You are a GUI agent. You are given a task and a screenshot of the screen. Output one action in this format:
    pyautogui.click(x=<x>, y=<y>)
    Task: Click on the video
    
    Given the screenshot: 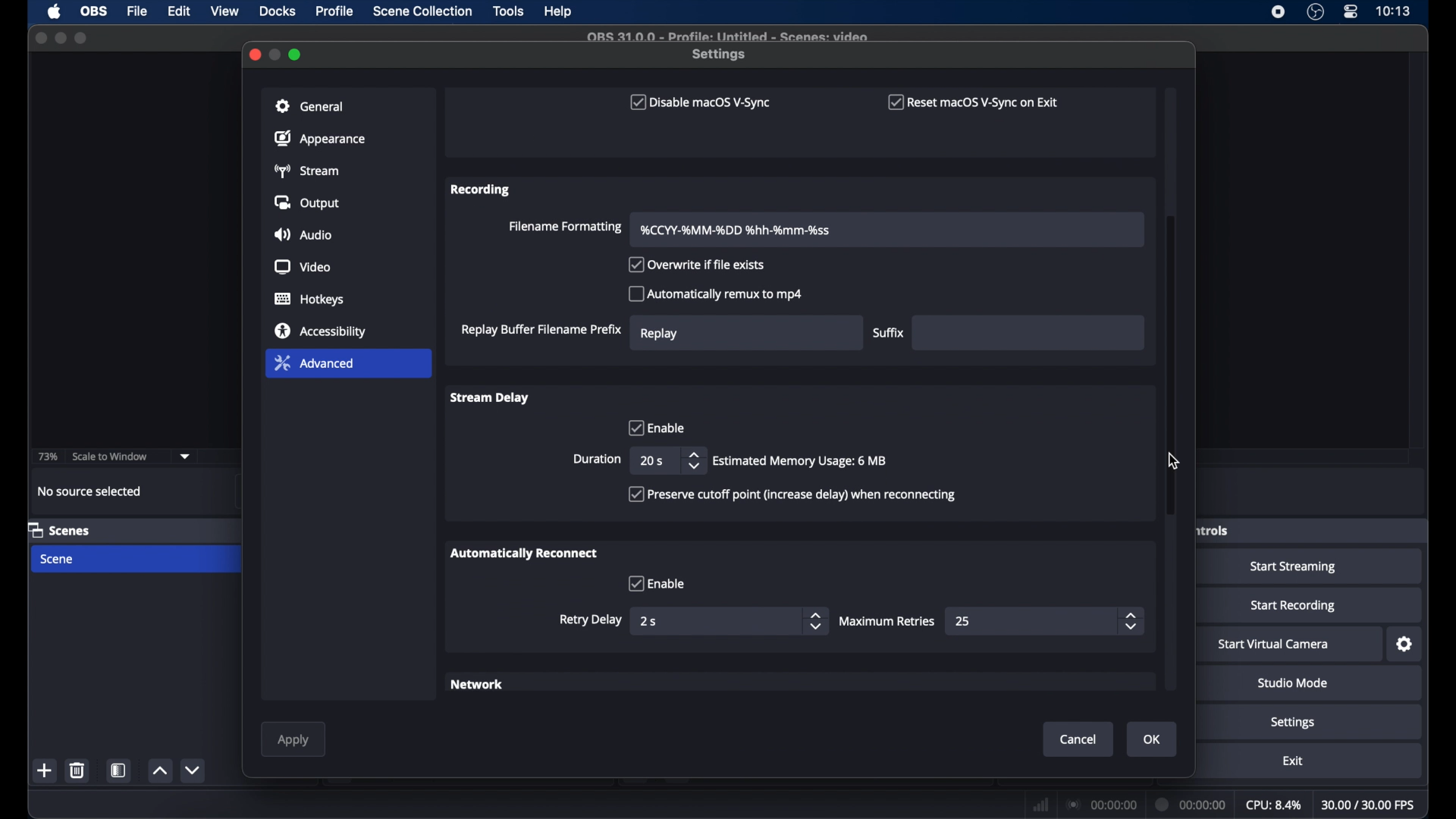 What is the action you would take?
    pyautogui.click(x=303, y=268)
    